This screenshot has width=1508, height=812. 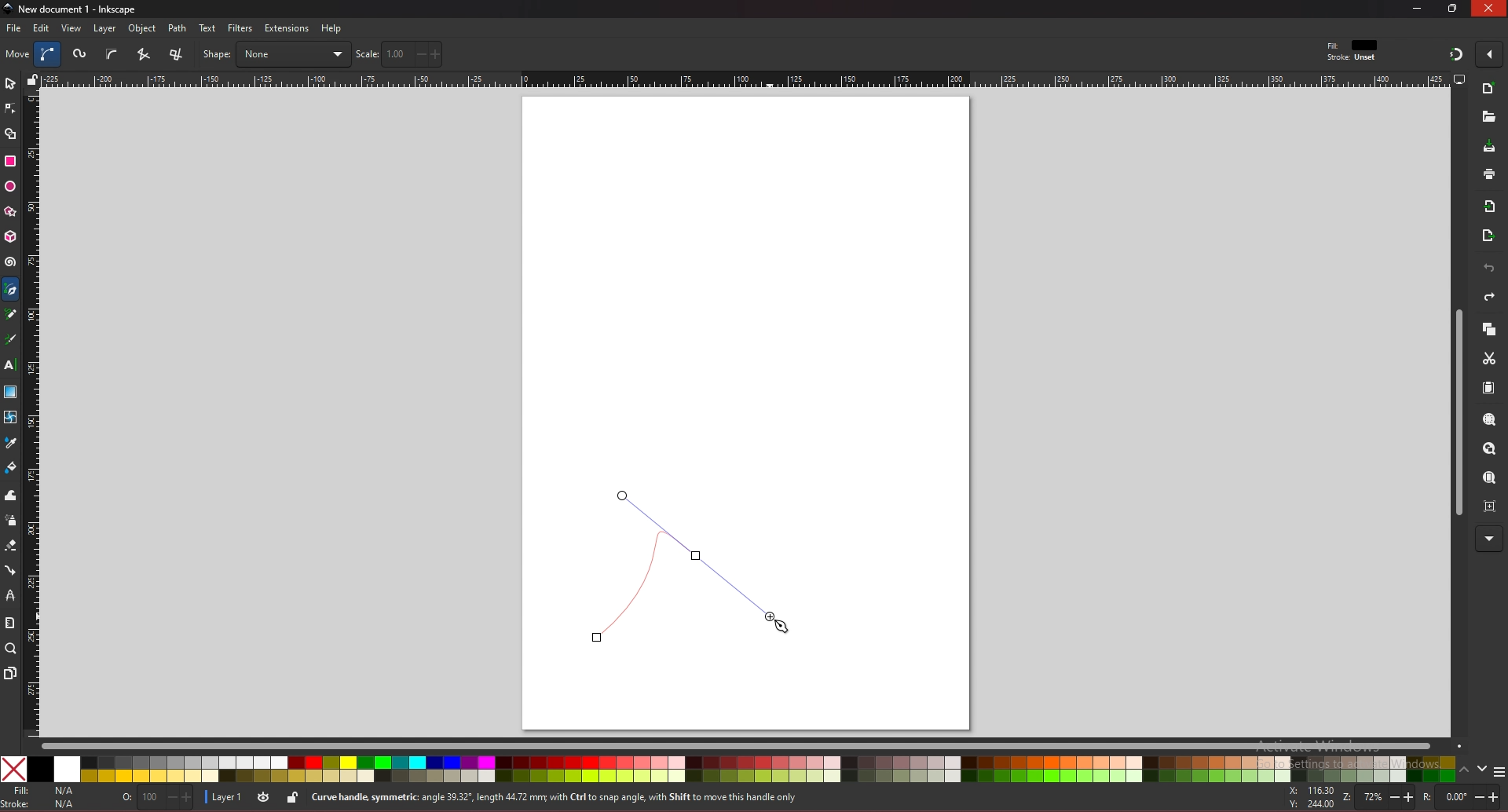 What do you see at coordinates (222, 798) in the screenshot?
I see `layer` at bounding box center [222, 798].